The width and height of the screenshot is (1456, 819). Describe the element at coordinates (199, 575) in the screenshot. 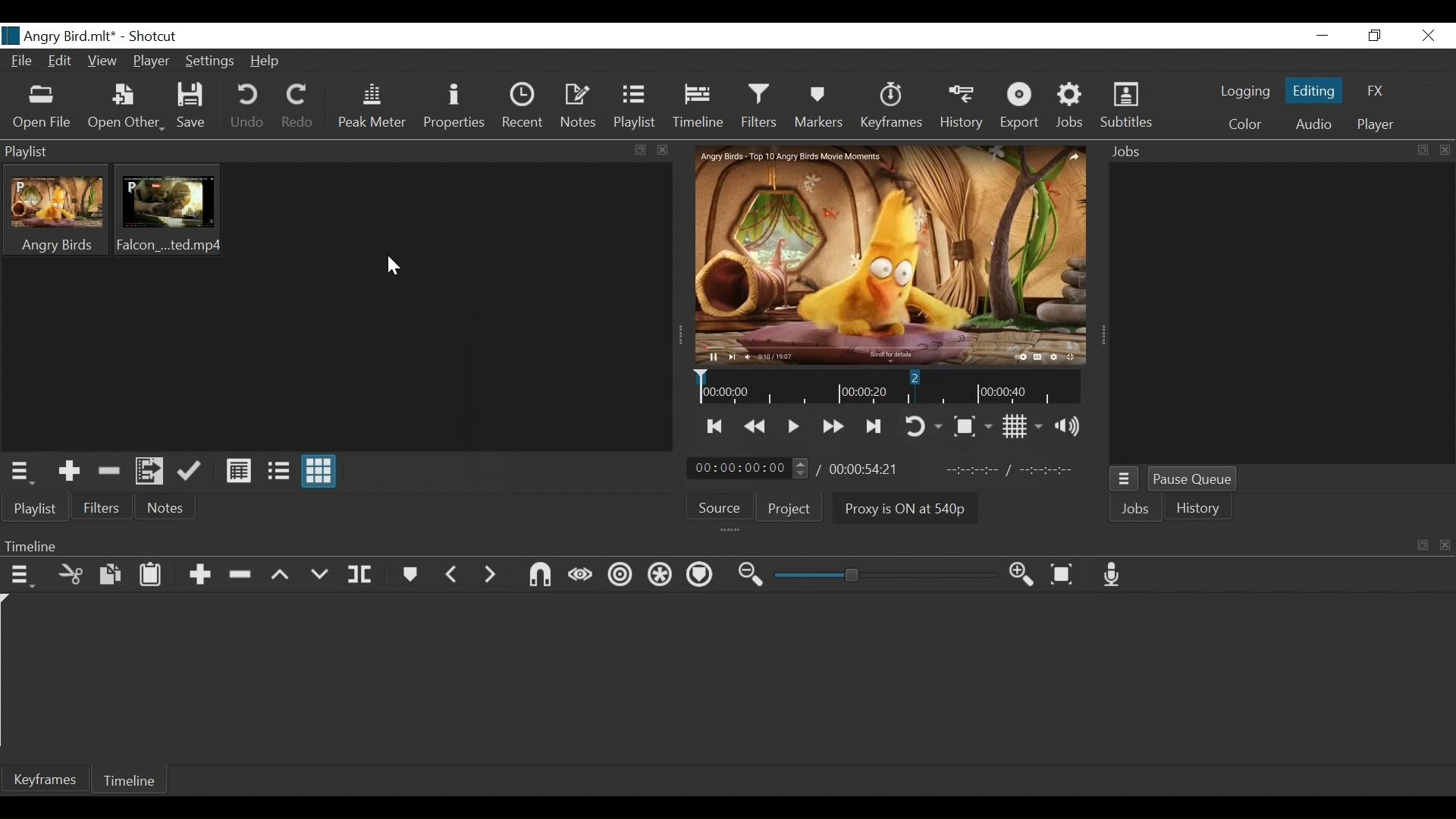

I see `Append` at that location.